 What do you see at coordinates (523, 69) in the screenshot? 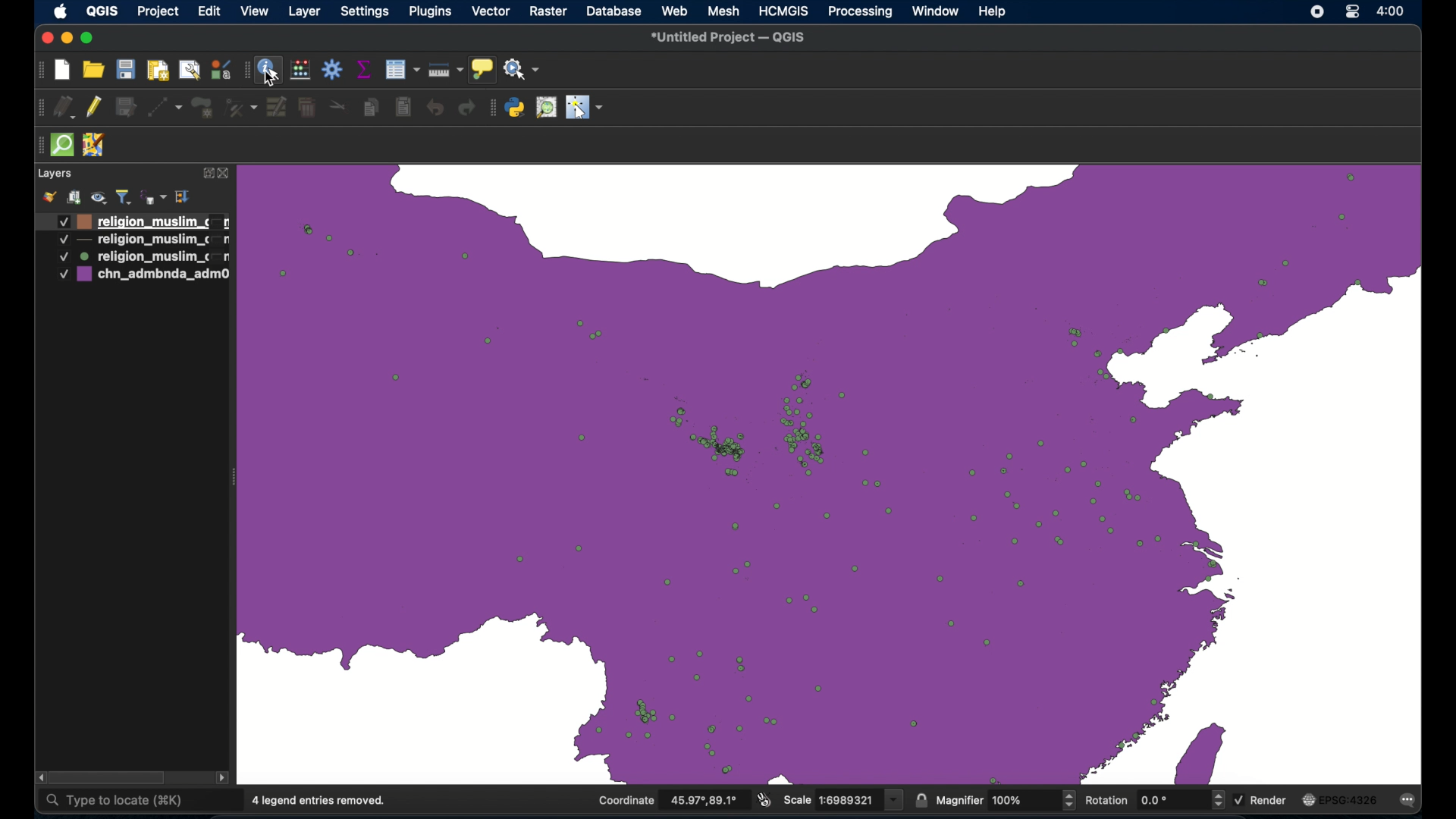
I see `no action selected` at bounding box center [523, 69].